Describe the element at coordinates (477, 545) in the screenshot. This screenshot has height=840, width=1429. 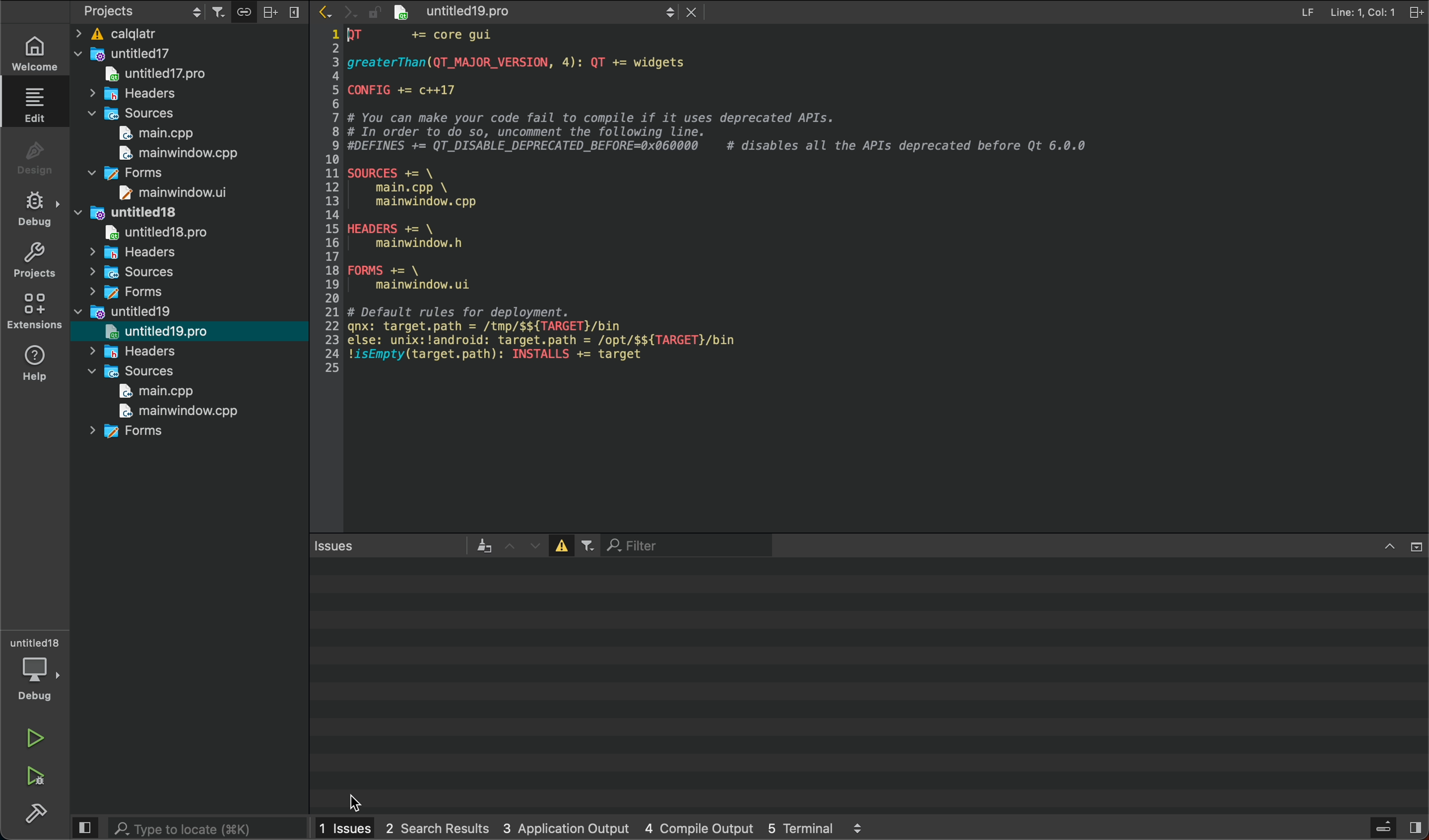
I see `an` at that location.